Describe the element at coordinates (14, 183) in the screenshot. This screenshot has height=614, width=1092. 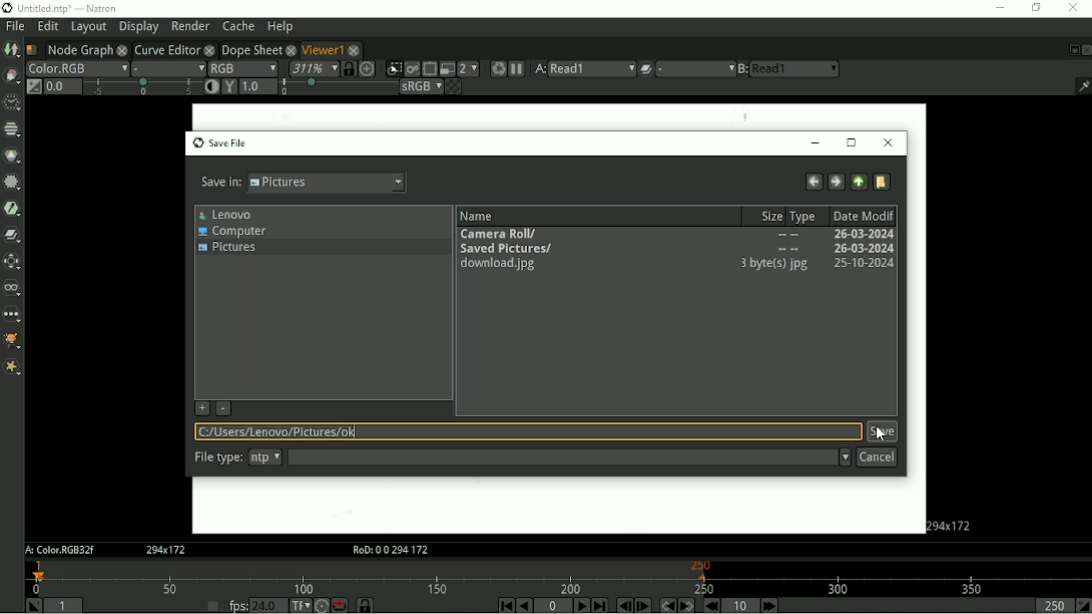
I see `Filter` at that location.